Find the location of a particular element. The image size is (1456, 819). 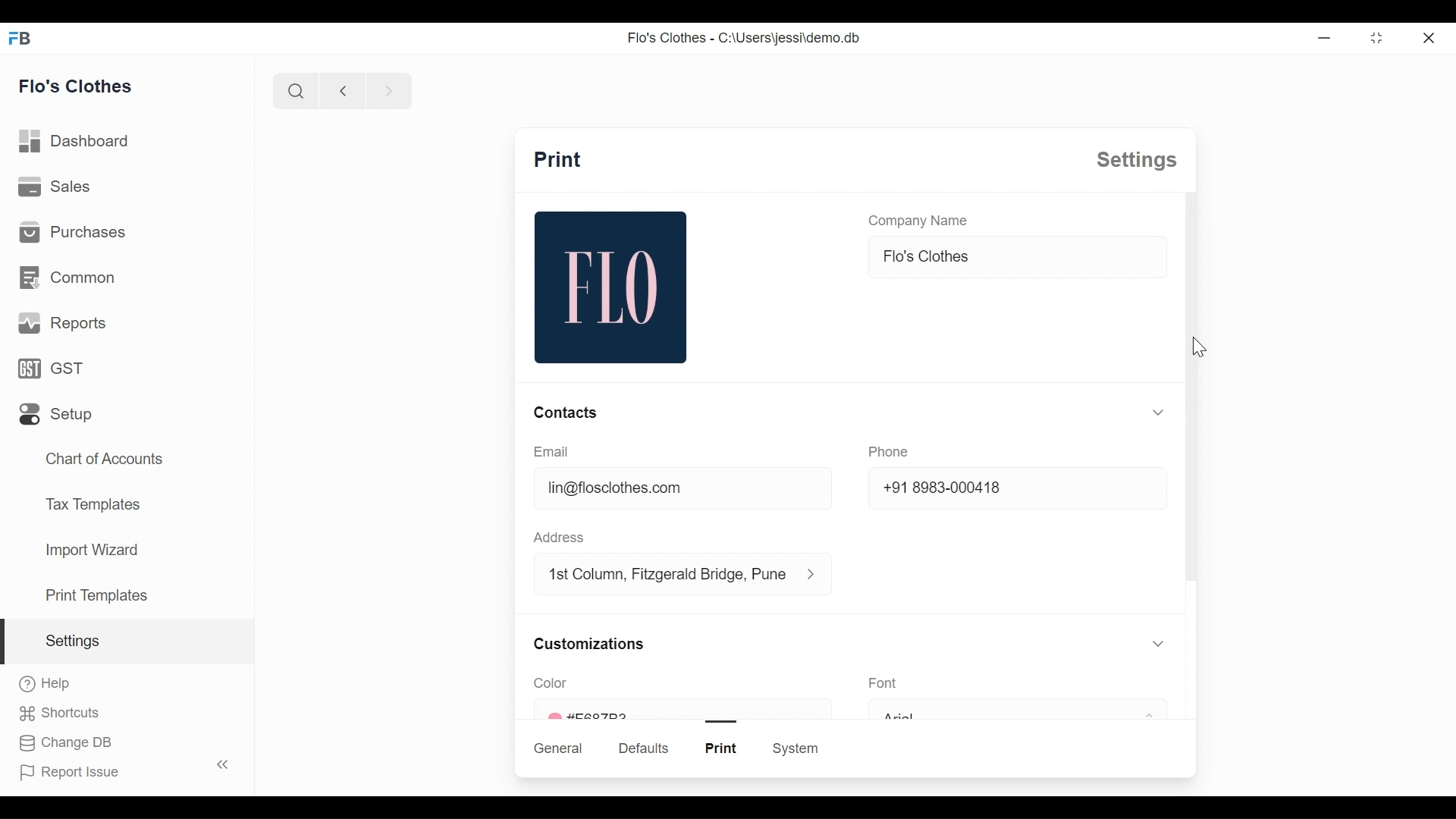

shortcuts is located at coordinates (59, 714).